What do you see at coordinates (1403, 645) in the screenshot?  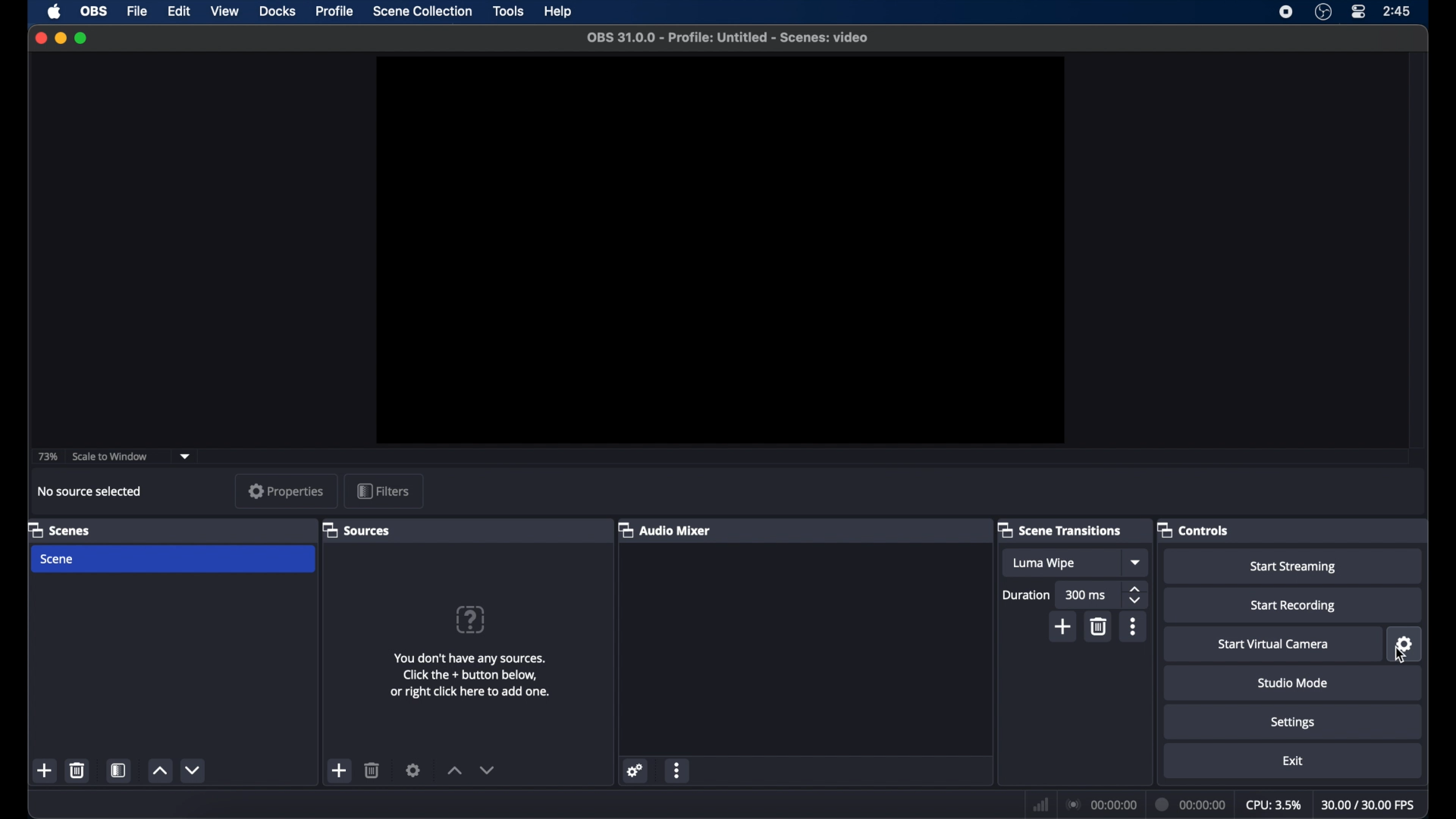 I see `settings` at bounding box center [1403, 645].